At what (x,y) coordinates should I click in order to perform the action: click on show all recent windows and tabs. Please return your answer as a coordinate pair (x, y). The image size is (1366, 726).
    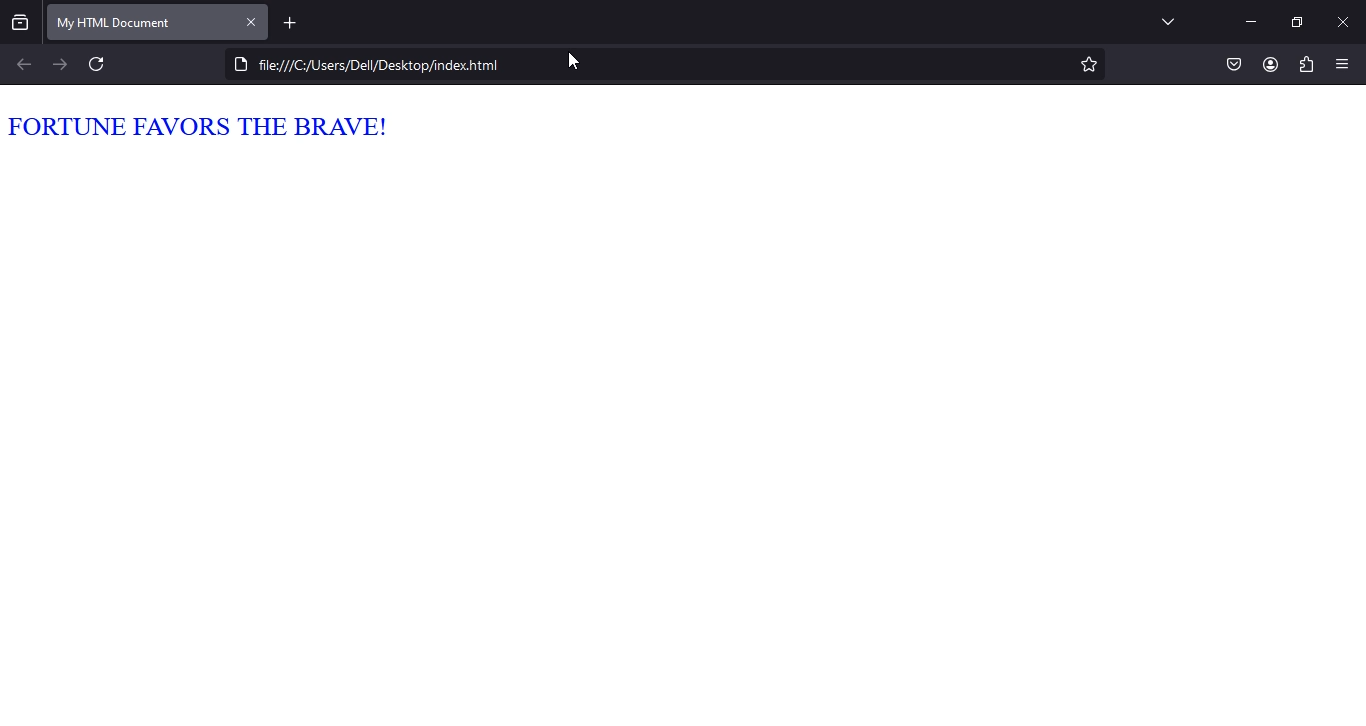
    Looking at the image, I should click on (23, 25).